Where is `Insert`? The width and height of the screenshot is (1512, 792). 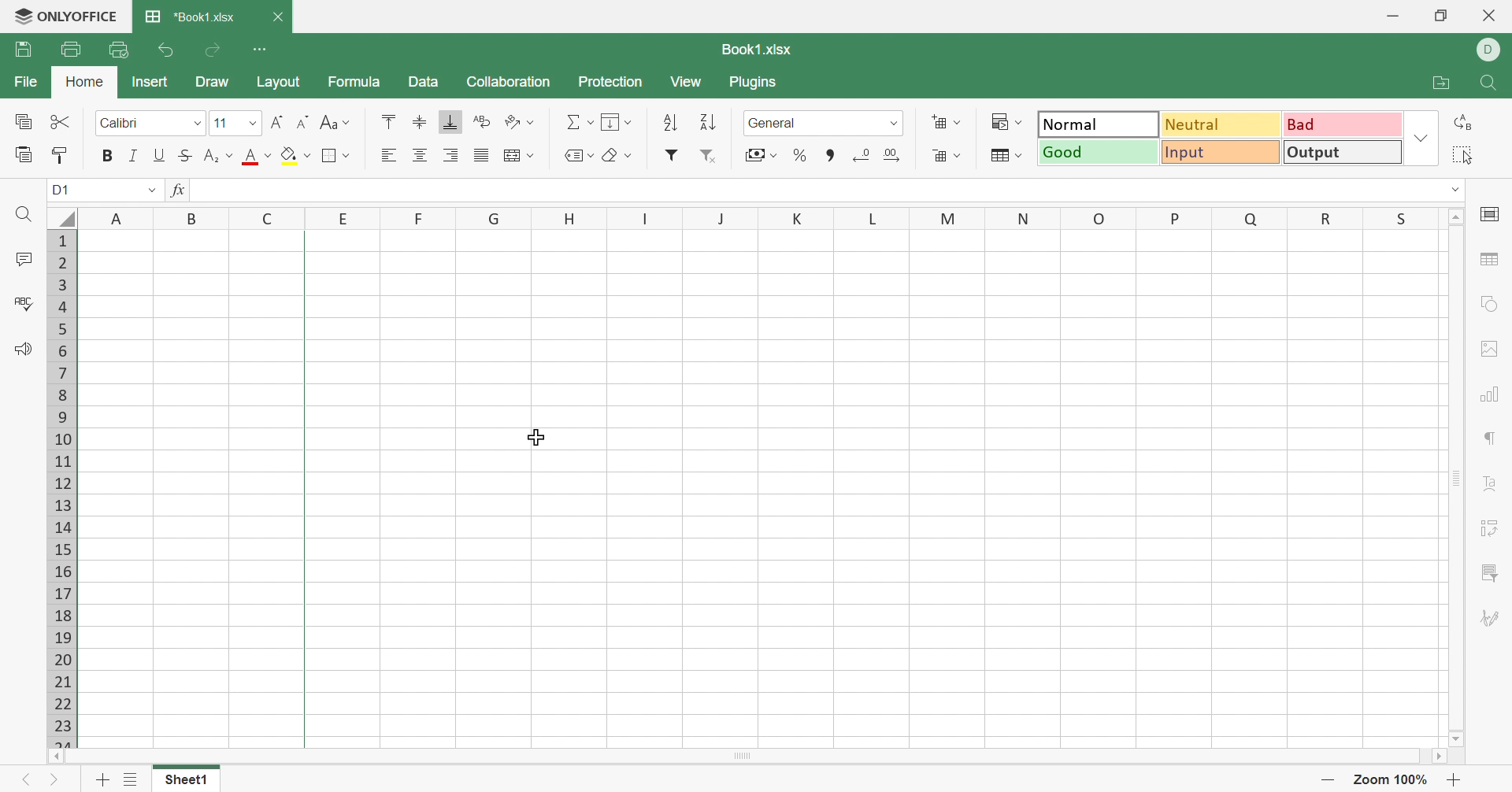
Insert is located at coordinates (151, 82).